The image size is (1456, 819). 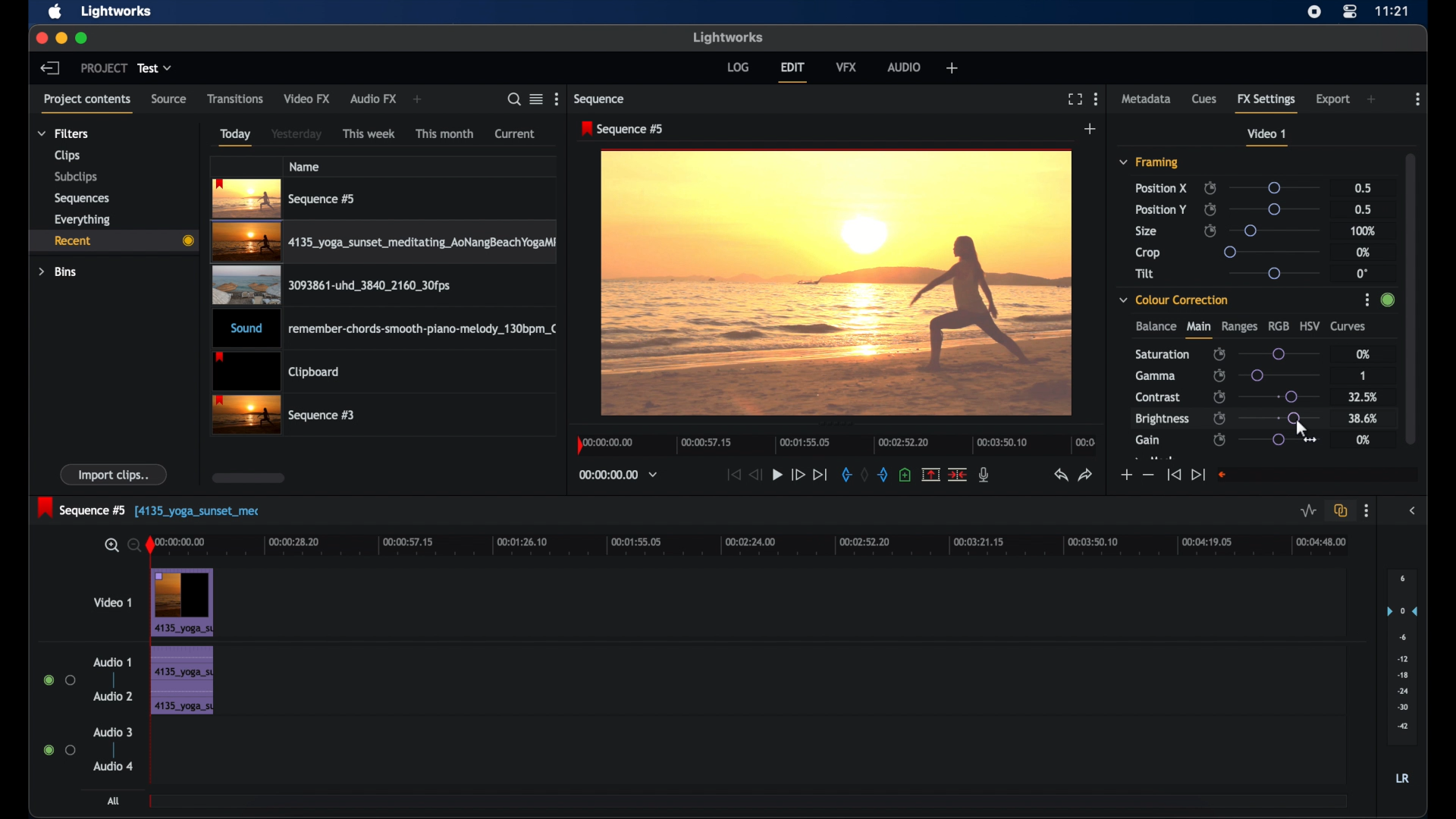 I want to click on clipboard, so click(x=276, y=372).